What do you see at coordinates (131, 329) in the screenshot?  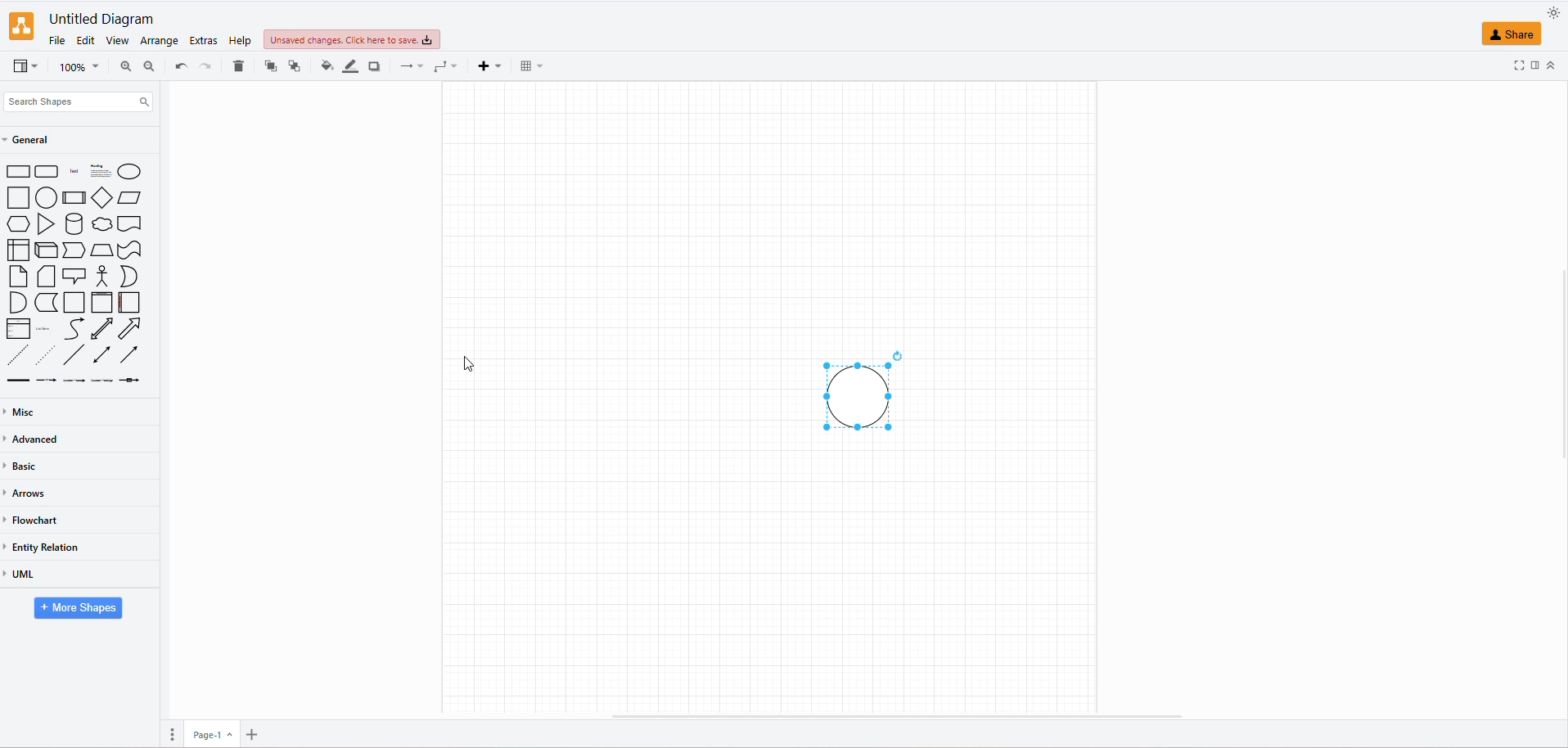 I see `` at bounding box center [131, 329].